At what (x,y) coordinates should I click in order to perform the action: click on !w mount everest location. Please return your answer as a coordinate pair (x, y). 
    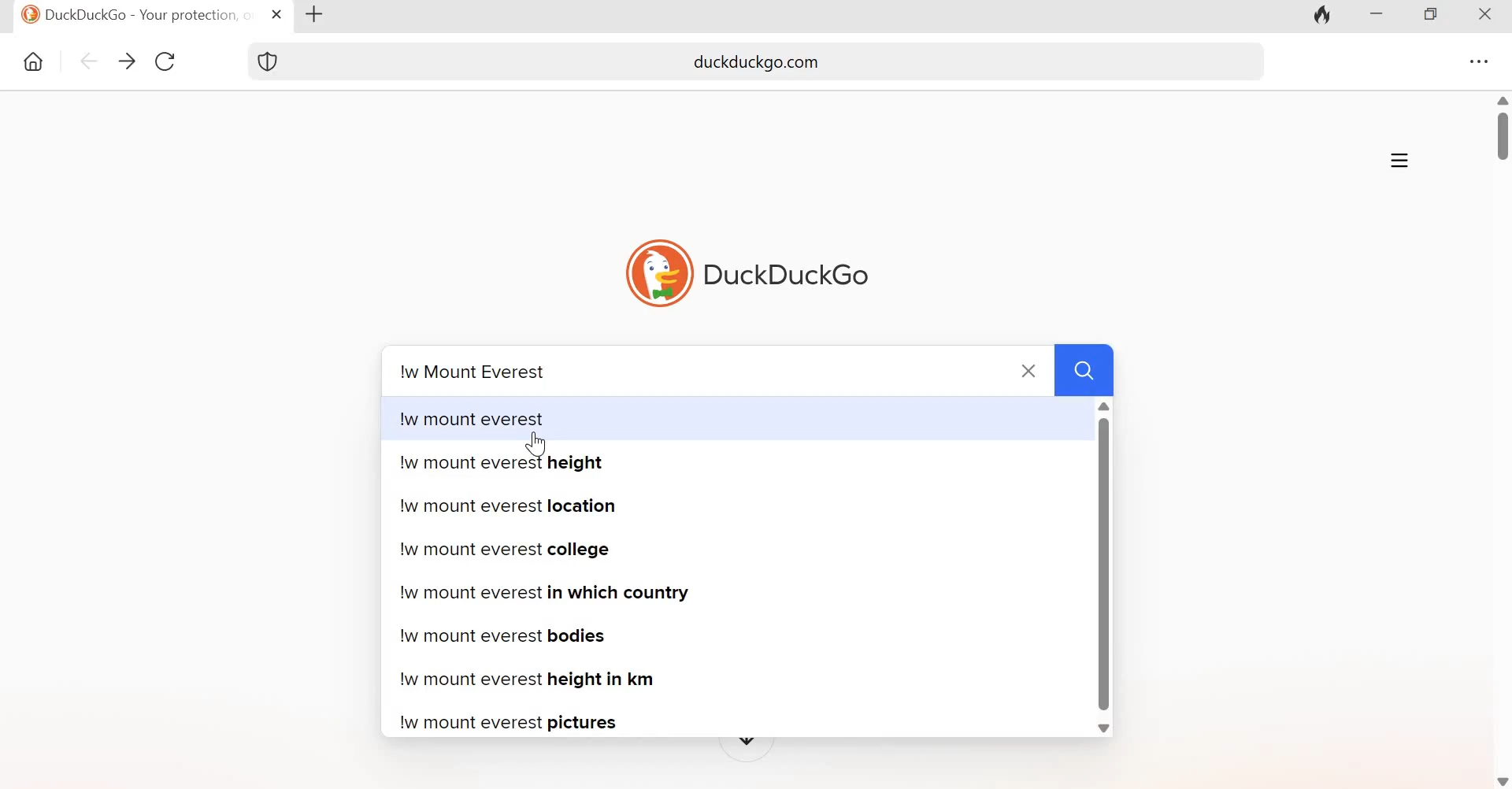
    Looking at the image, I should click on (508, 512).